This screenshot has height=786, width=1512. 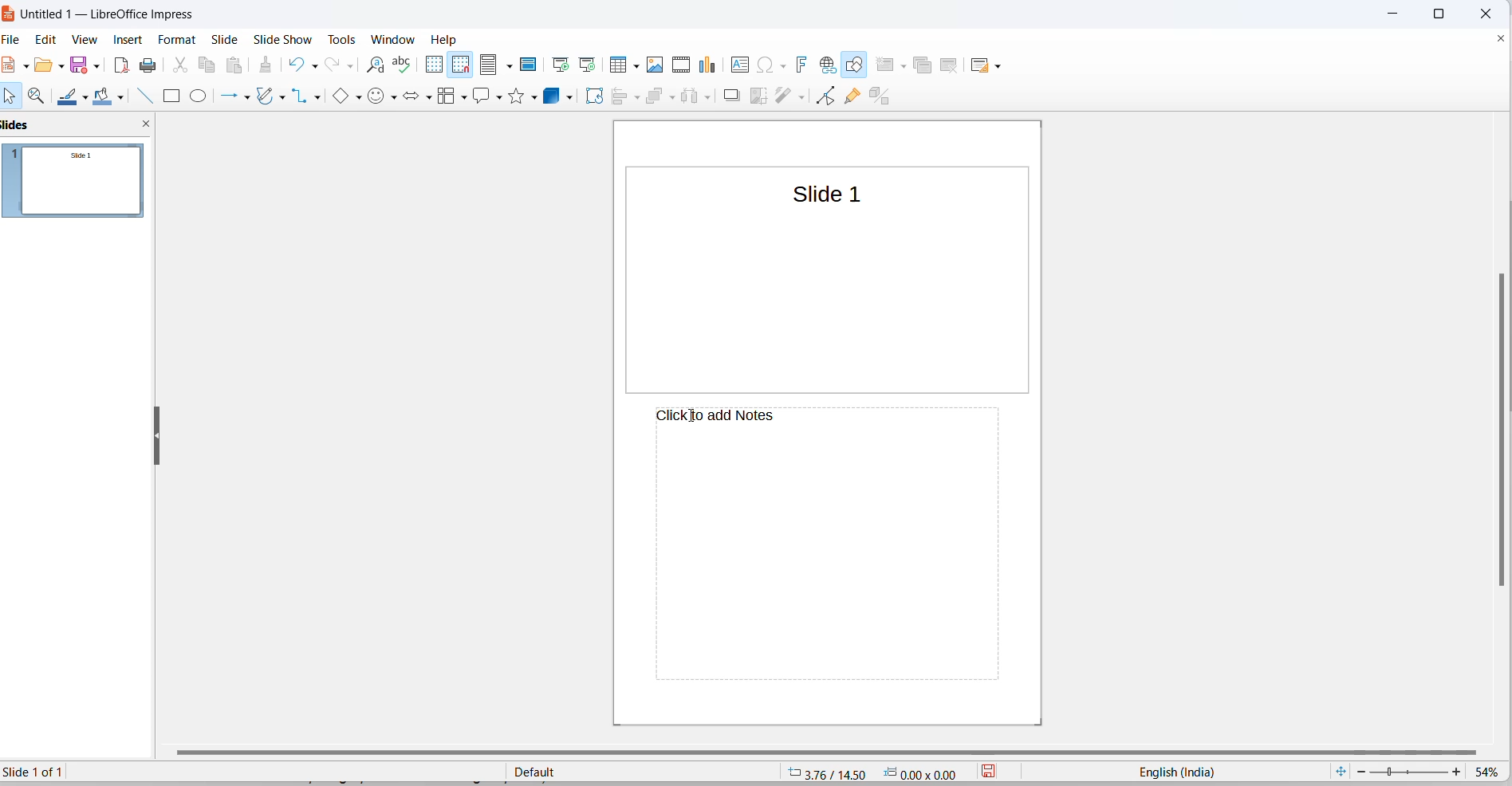 I want to click on window, so click(x=392, y=38).